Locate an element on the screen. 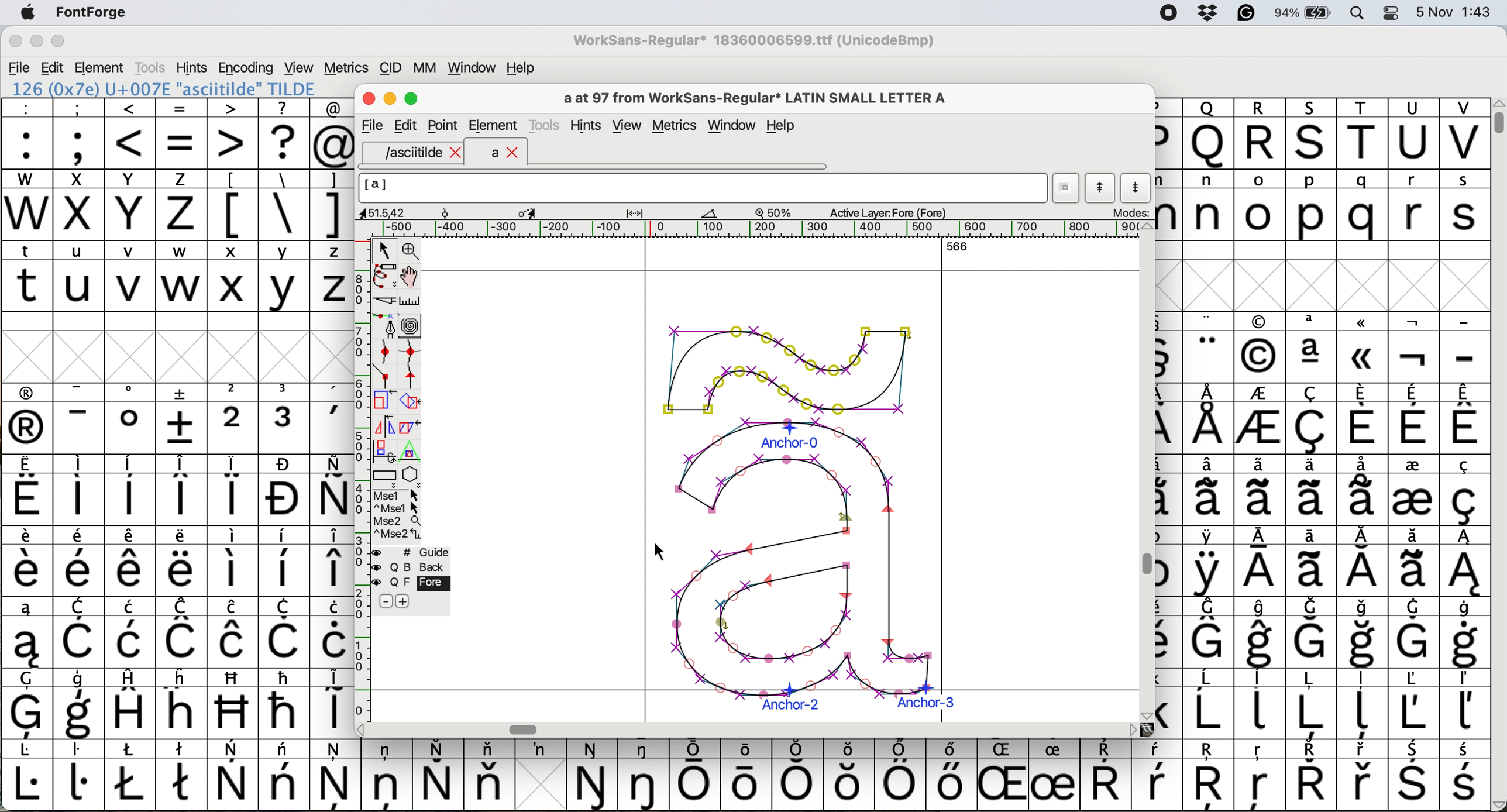  symbol is located at coordinates (1313, 419).